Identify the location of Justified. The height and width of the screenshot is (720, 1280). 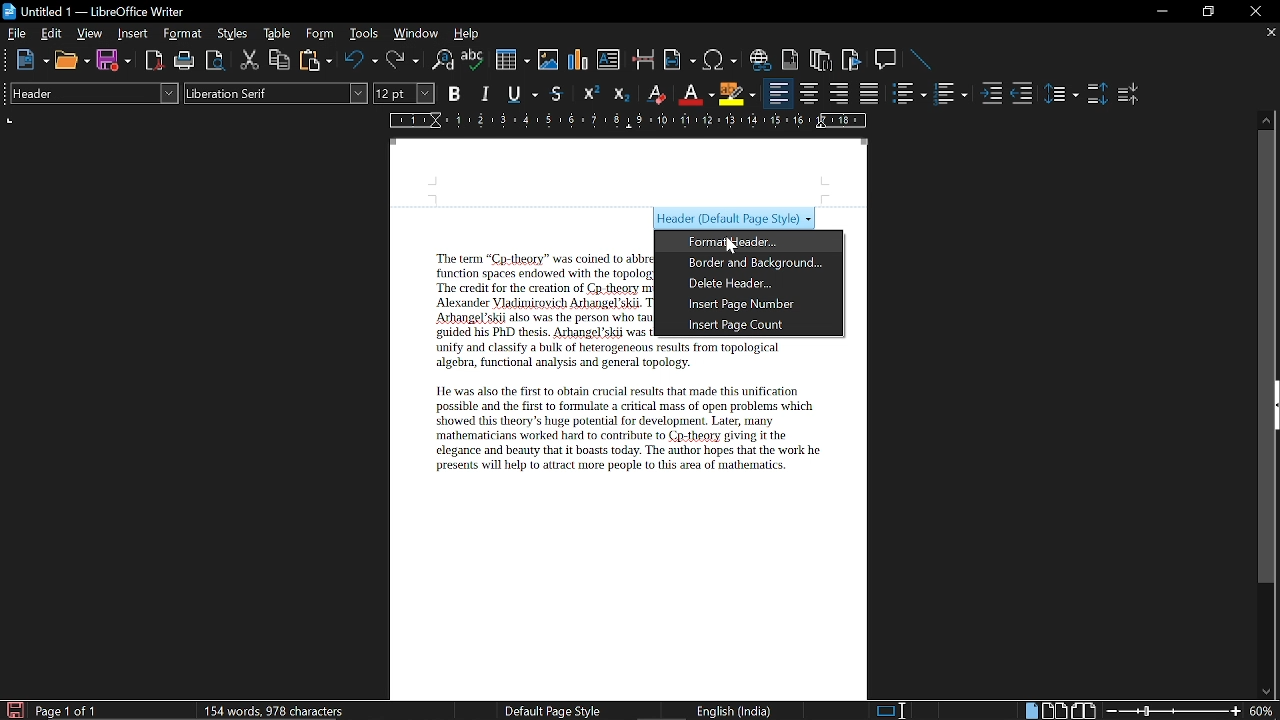
(870, 94).